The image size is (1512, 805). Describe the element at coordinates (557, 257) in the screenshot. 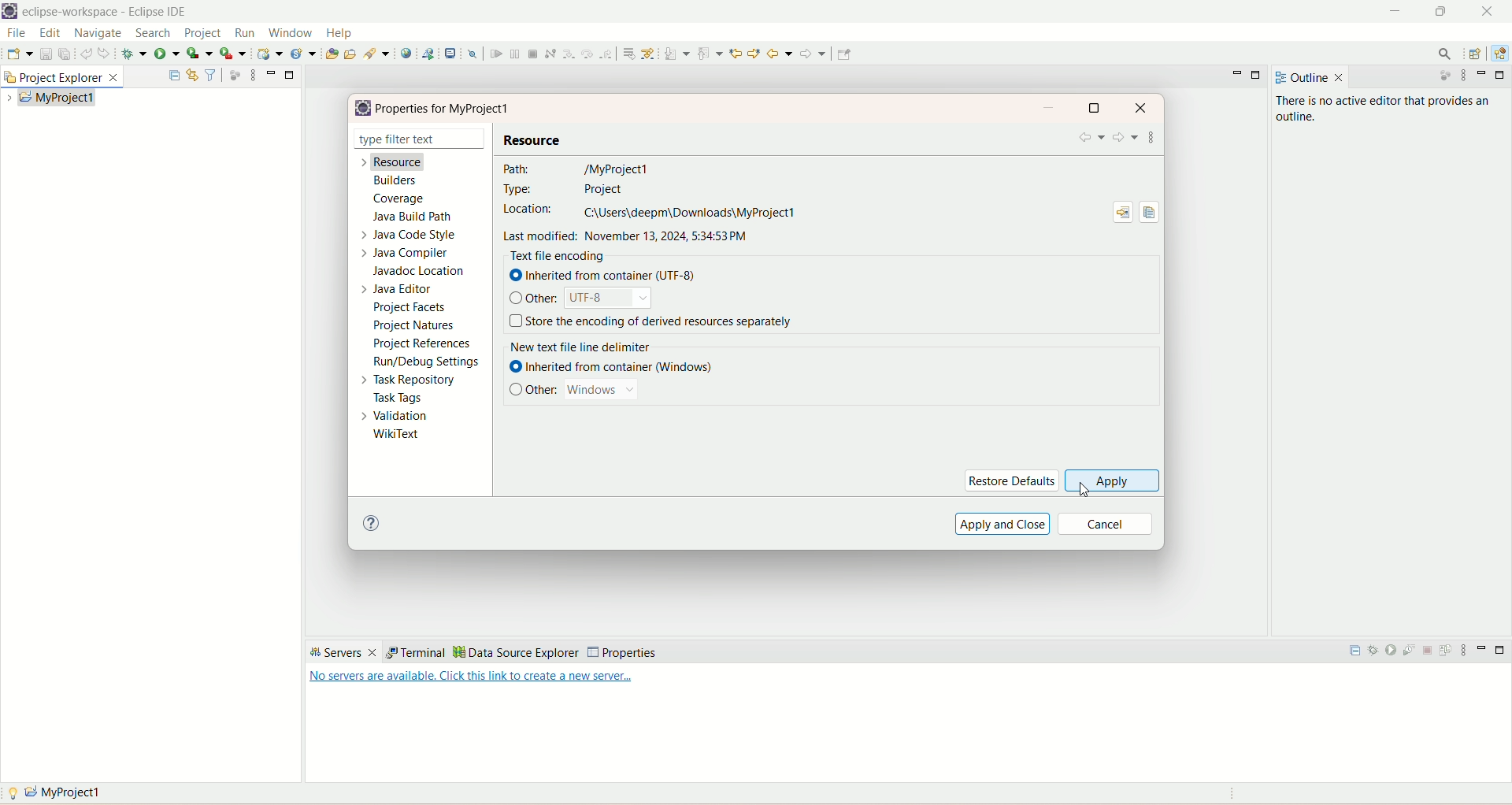

I see `text file encoding` at that location.